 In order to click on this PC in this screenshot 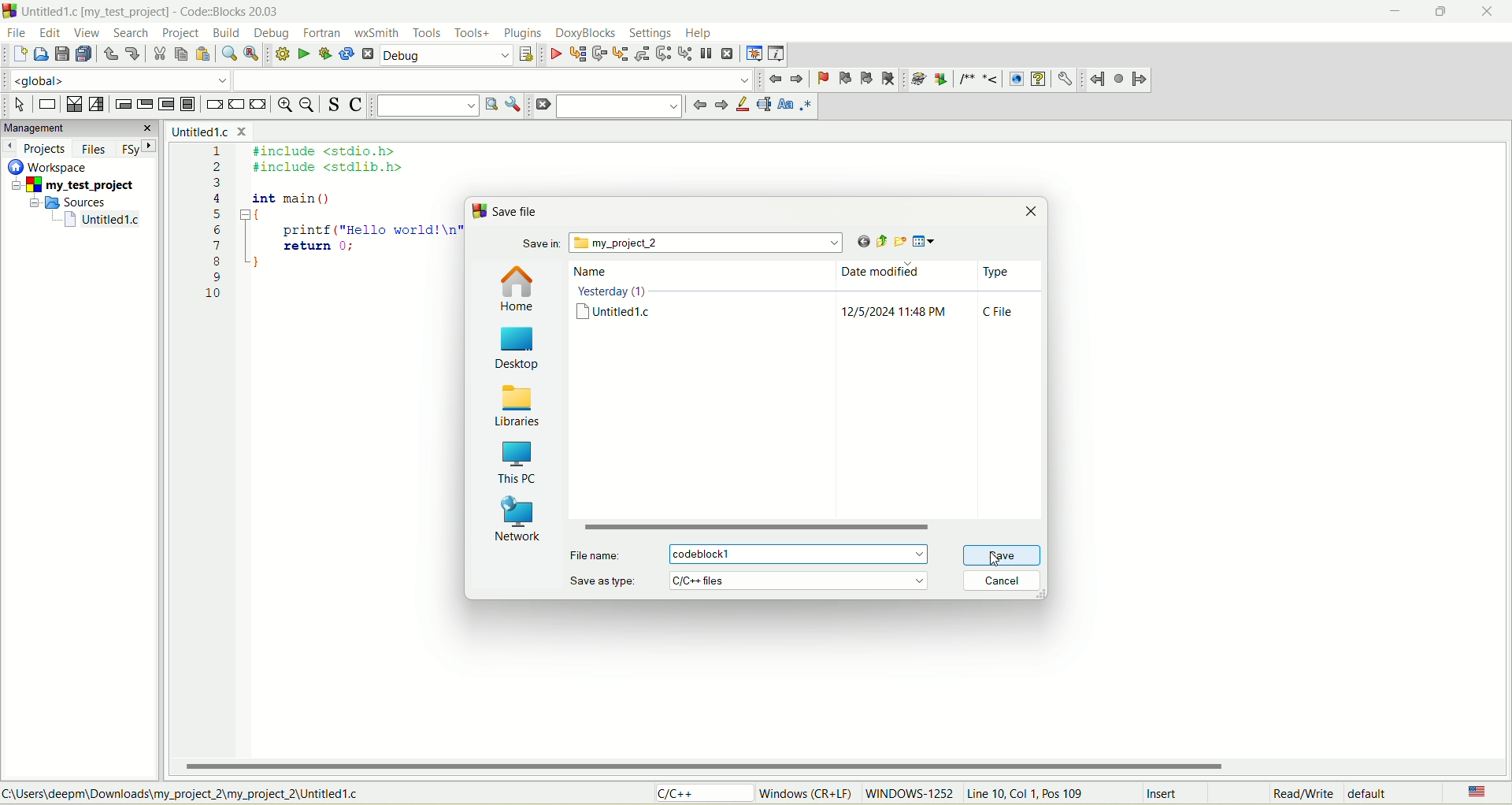, I will do `click(519, 461)`.